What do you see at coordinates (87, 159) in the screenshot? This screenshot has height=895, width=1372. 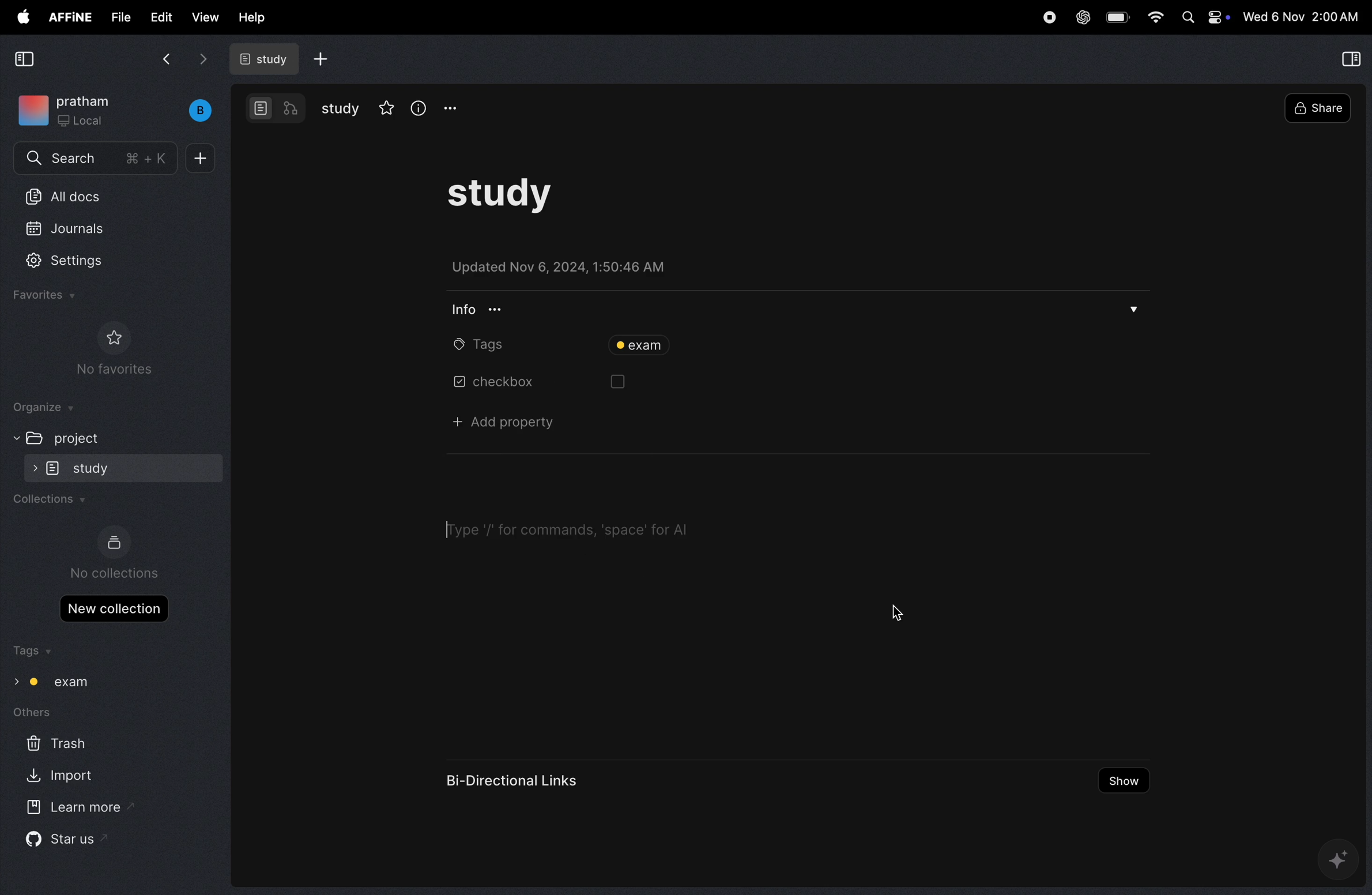 I see `search` at bounding box center [87, 159].